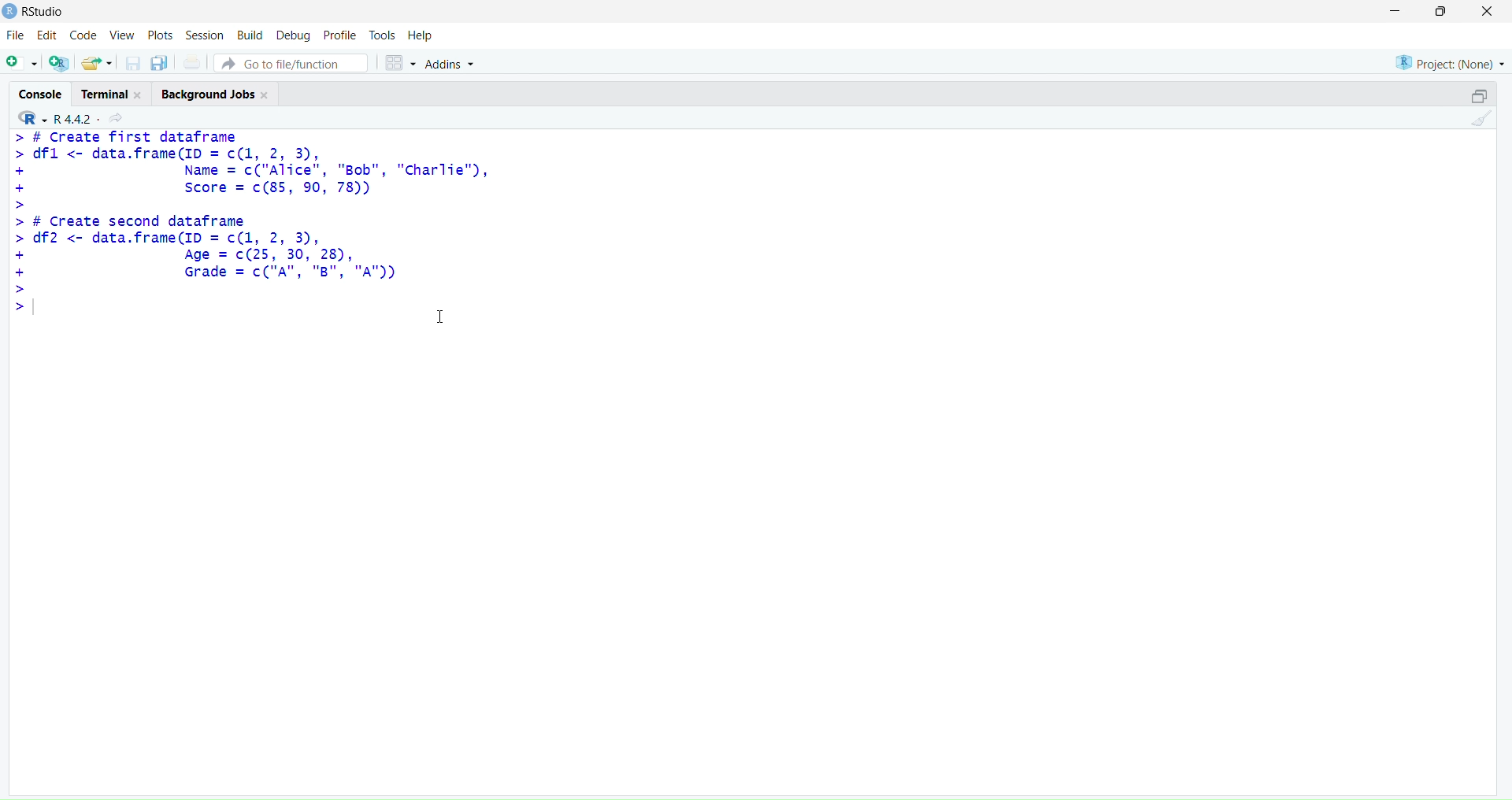  Describe the element at coordinates (45, 12) in the screenshot. I see `RStudio` at that location.